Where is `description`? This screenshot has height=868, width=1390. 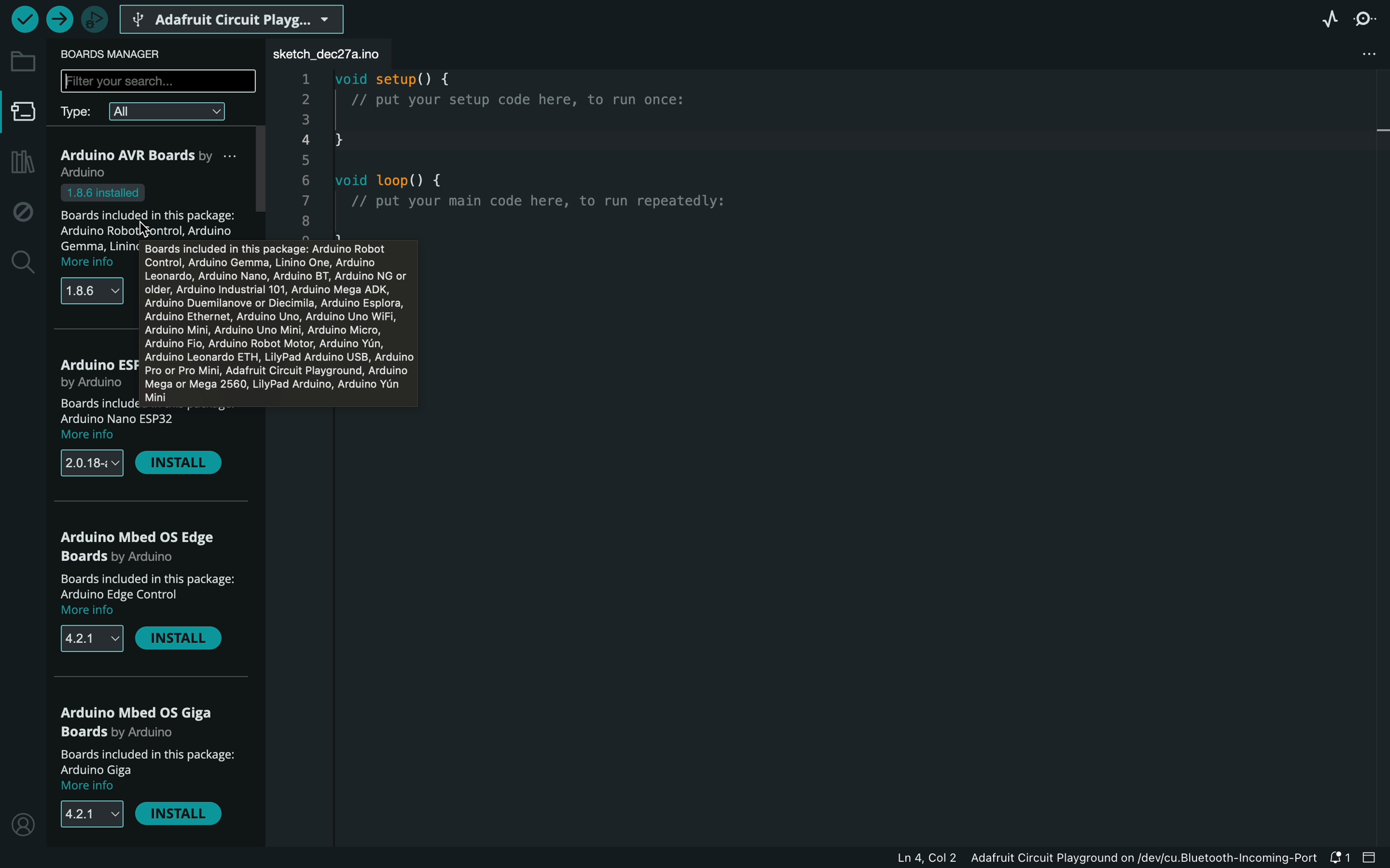
description is located at coordinates (128, 412).